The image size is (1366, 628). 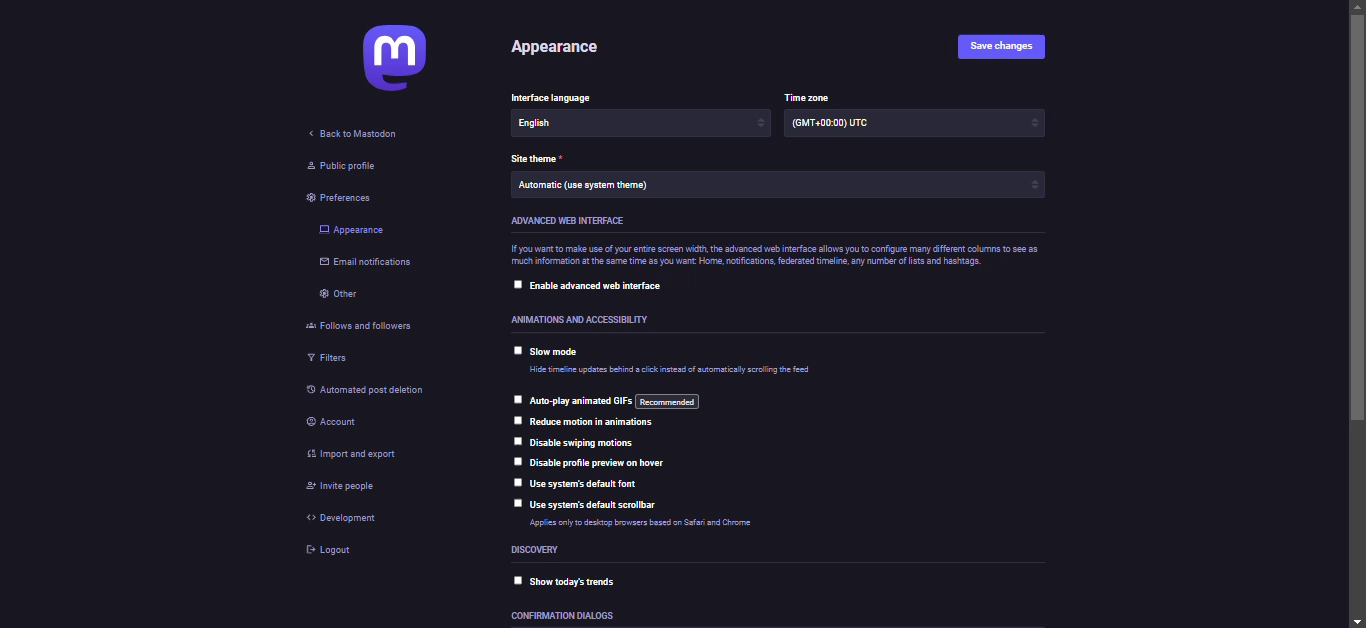 What do you see at coordinates (515, 282) in the screenshot?
I see `click to select` at bounding box center [515, 282].